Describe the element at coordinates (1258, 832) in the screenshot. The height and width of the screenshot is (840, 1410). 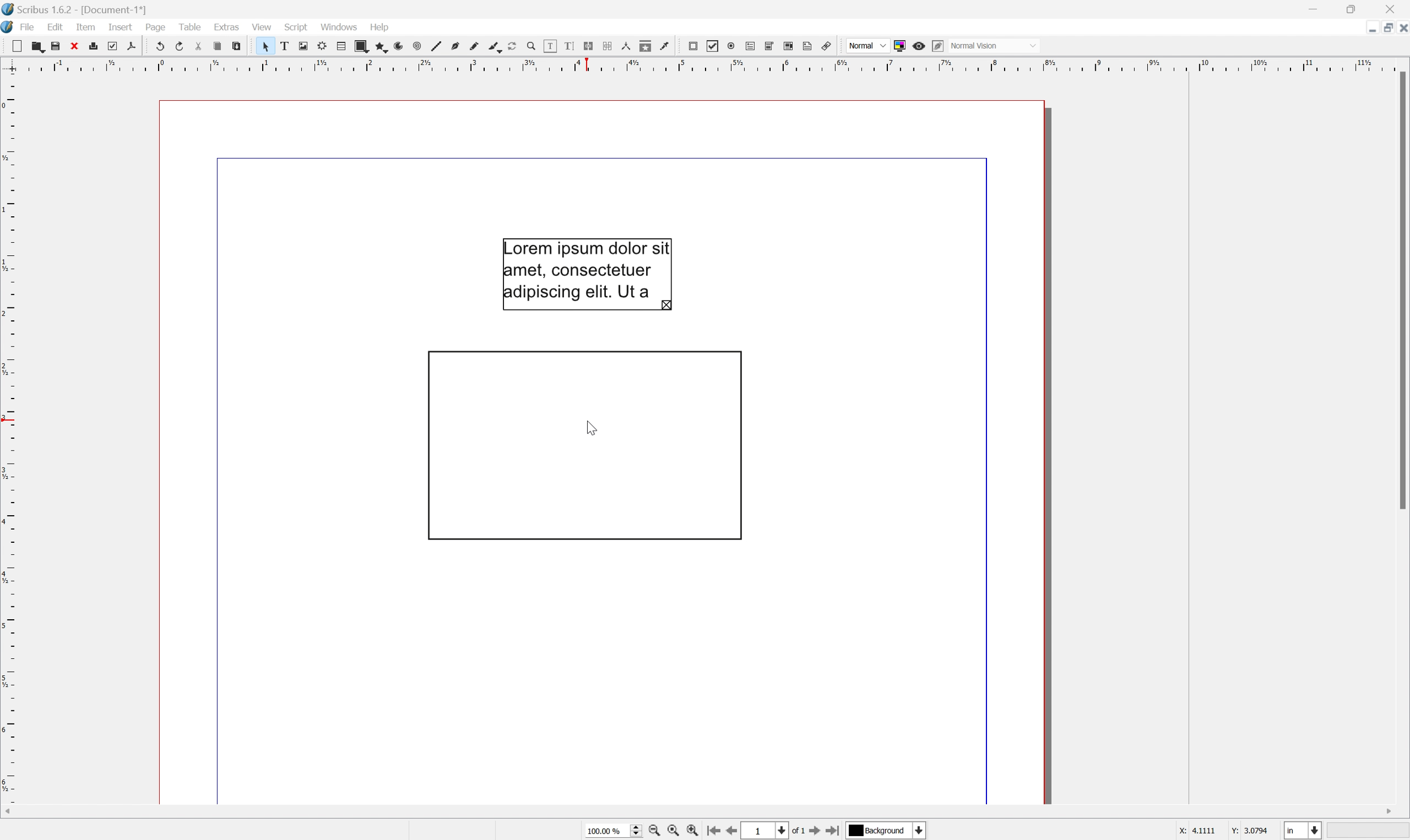
I see `3.0794` at that location.